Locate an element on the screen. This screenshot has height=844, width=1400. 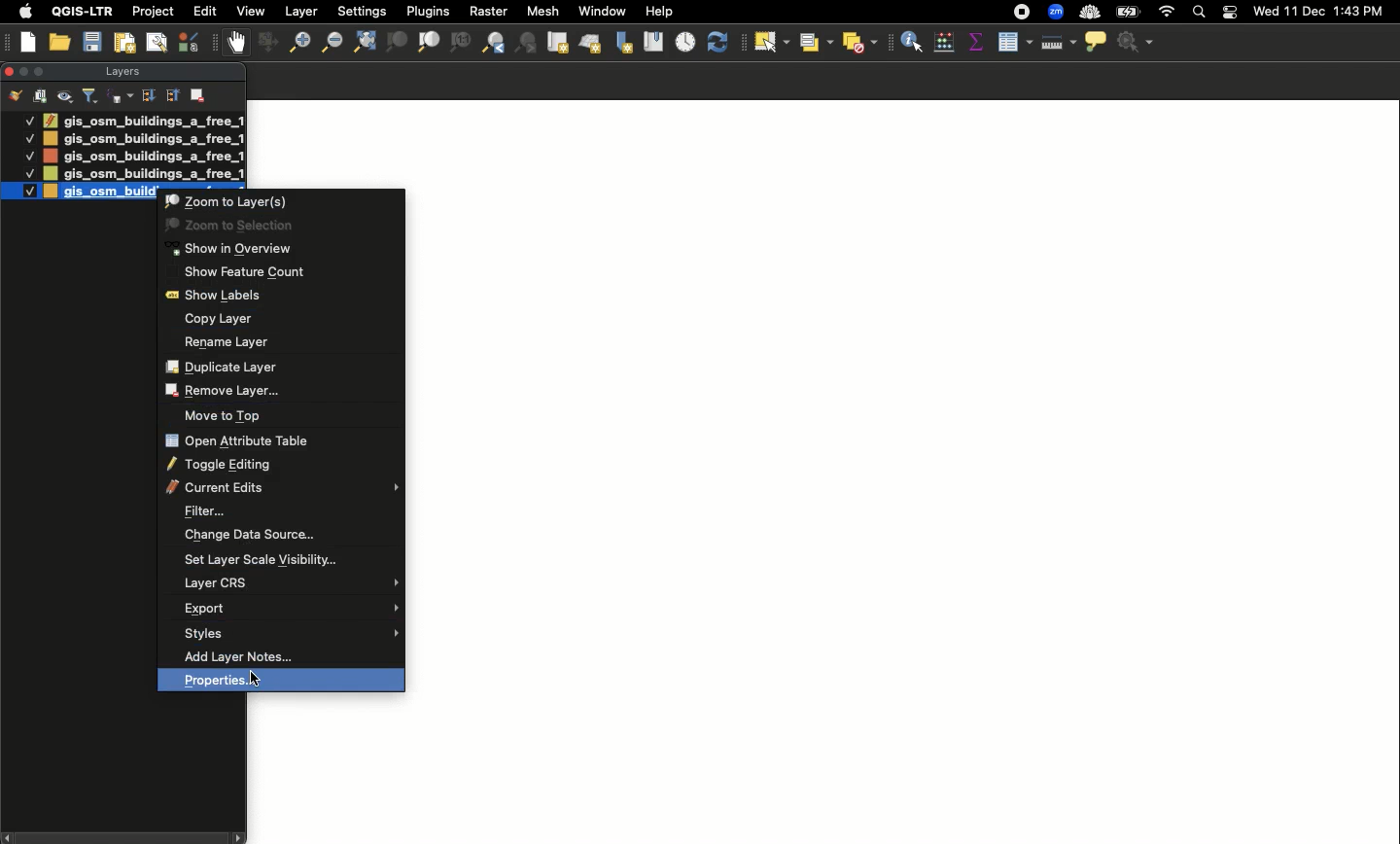
Style manager is located at coordinates (191, 42).